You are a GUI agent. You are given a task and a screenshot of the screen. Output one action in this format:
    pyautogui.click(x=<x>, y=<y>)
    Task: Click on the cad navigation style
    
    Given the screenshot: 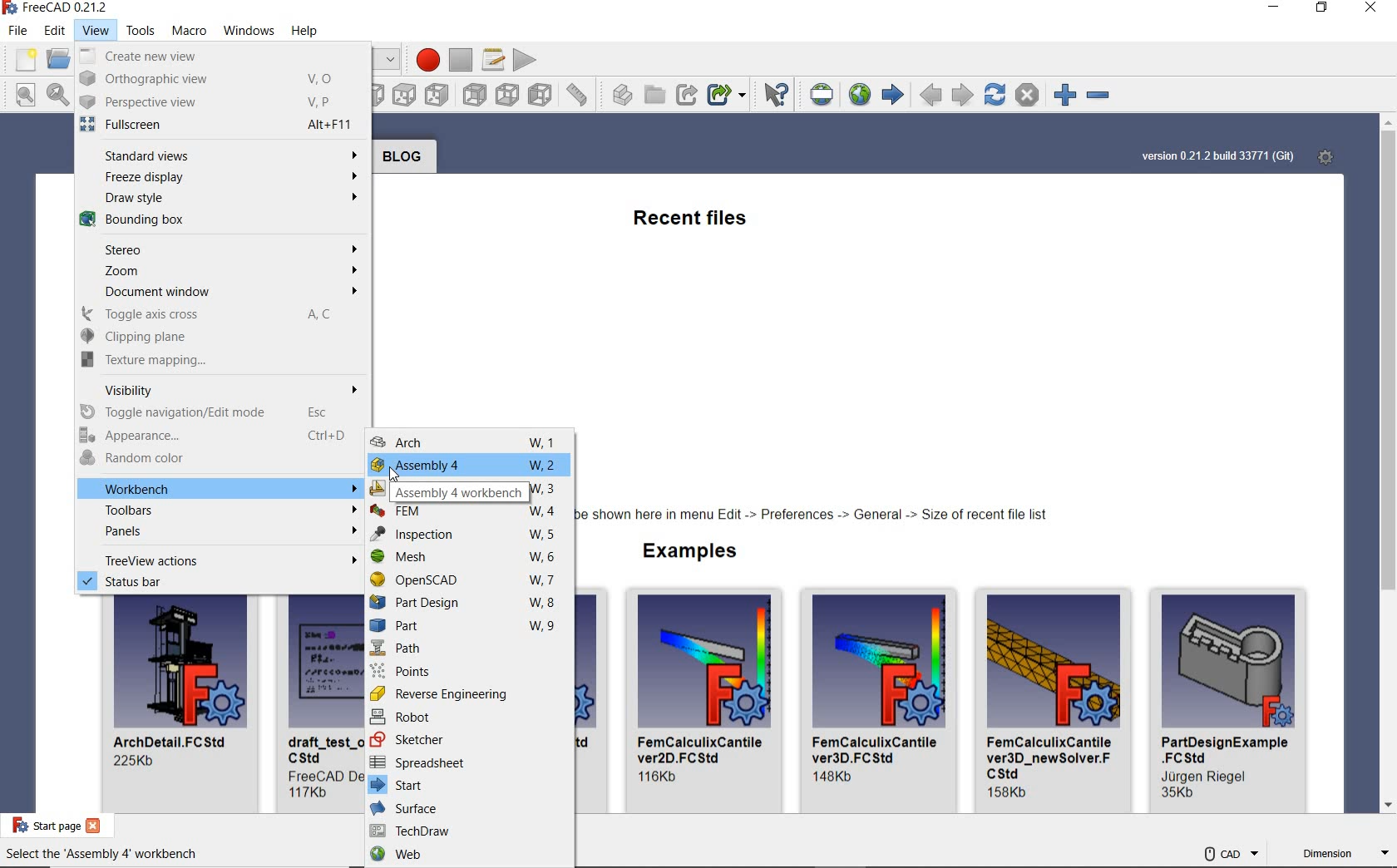 What is the action you would take?
    pyautogui.click(x=1230, y=852)
    